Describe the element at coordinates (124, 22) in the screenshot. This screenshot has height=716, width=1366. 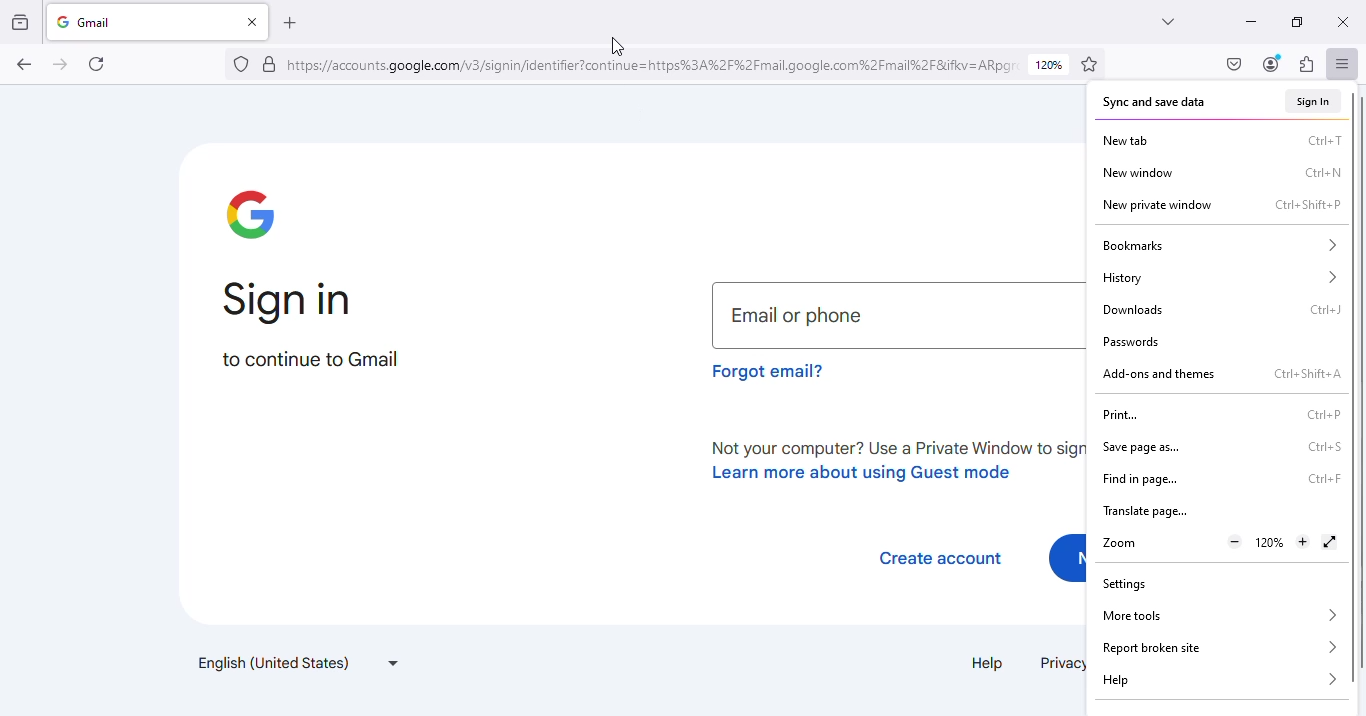
I see `gmail` at that location.